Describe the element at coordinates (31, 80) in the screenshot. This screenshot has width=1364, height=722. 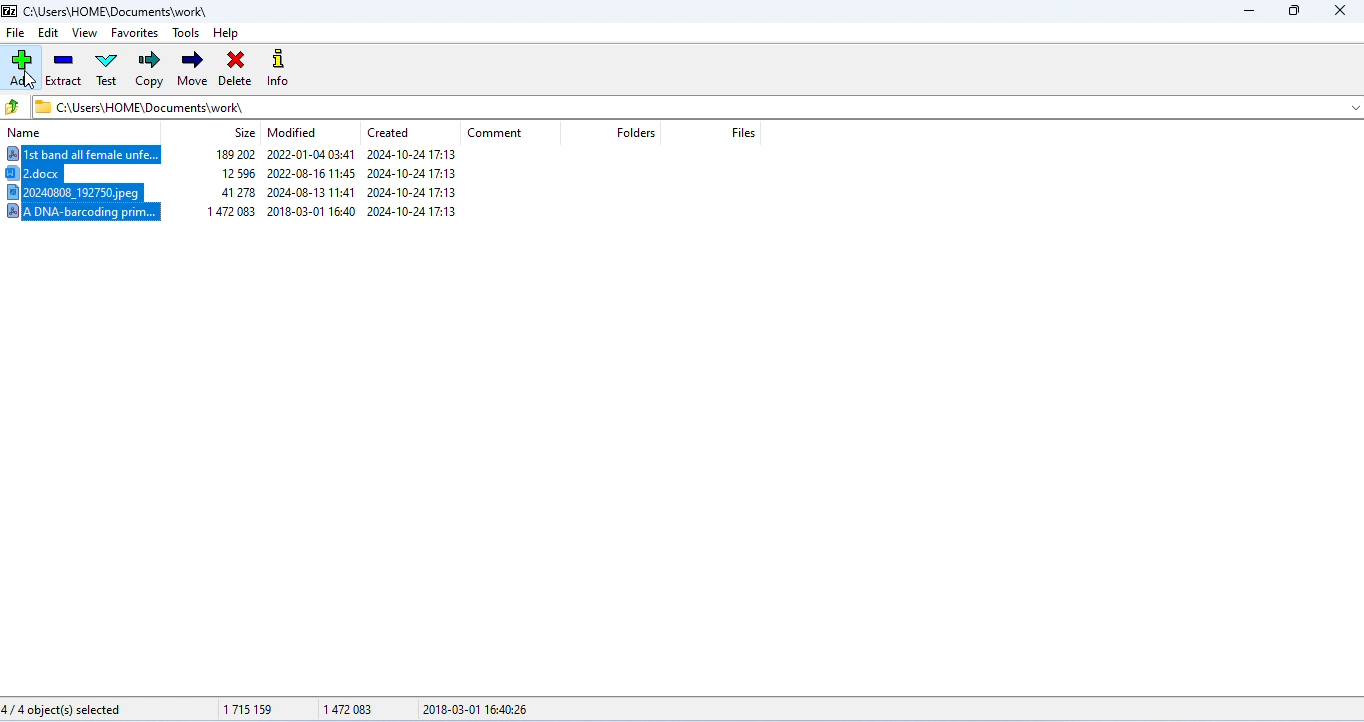
I see `cursor movement` at that location.